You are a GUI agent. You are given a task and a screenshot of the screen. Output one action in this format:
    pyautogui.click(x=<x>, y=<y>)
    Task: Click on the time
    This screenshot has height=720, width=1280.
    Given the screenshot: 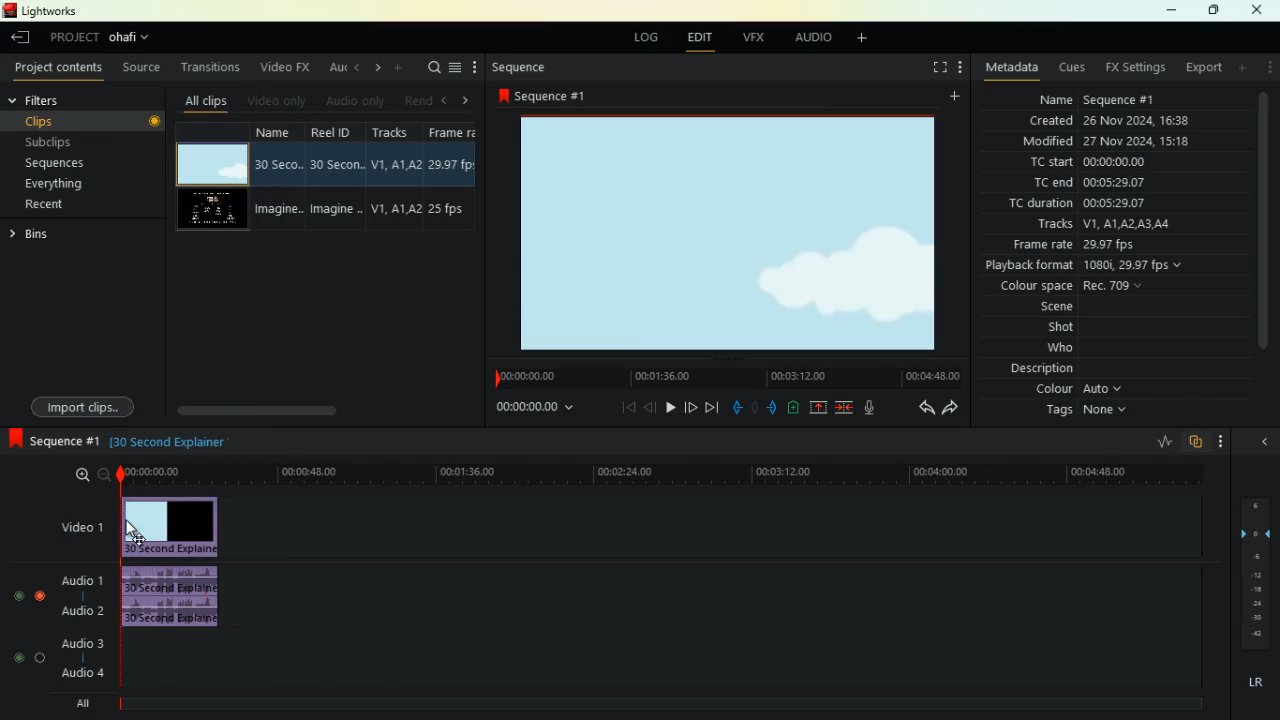 What is the action you would take?
    pyautogui.click(x=664, y=474)
    